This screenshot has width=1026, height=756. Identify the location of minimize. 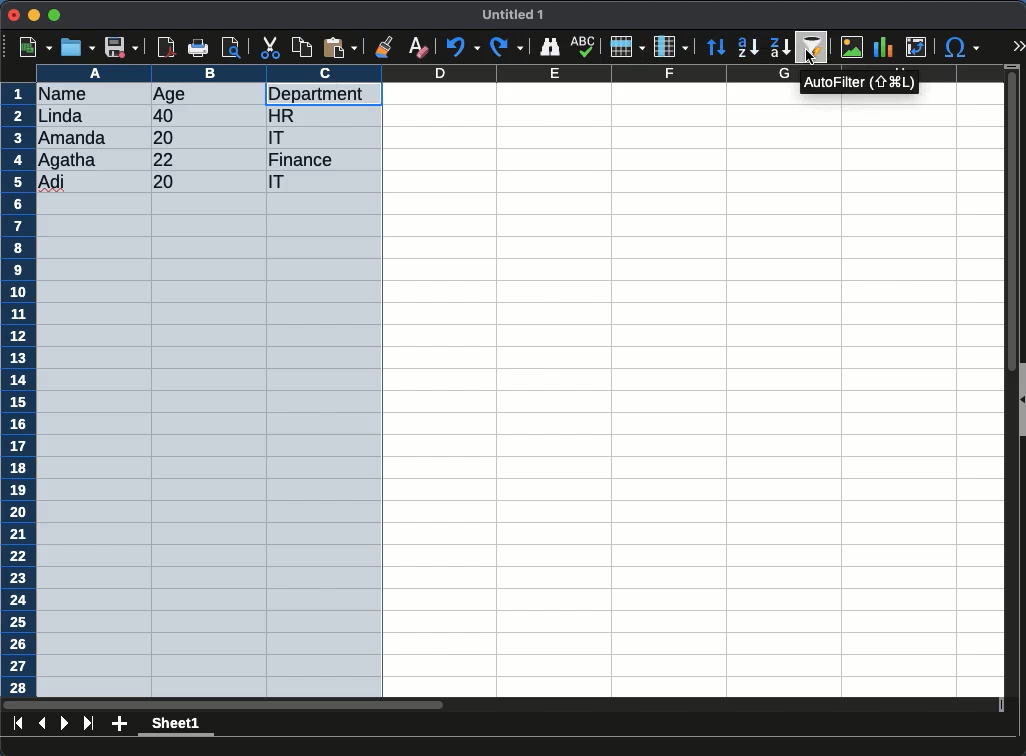
(35, 14).